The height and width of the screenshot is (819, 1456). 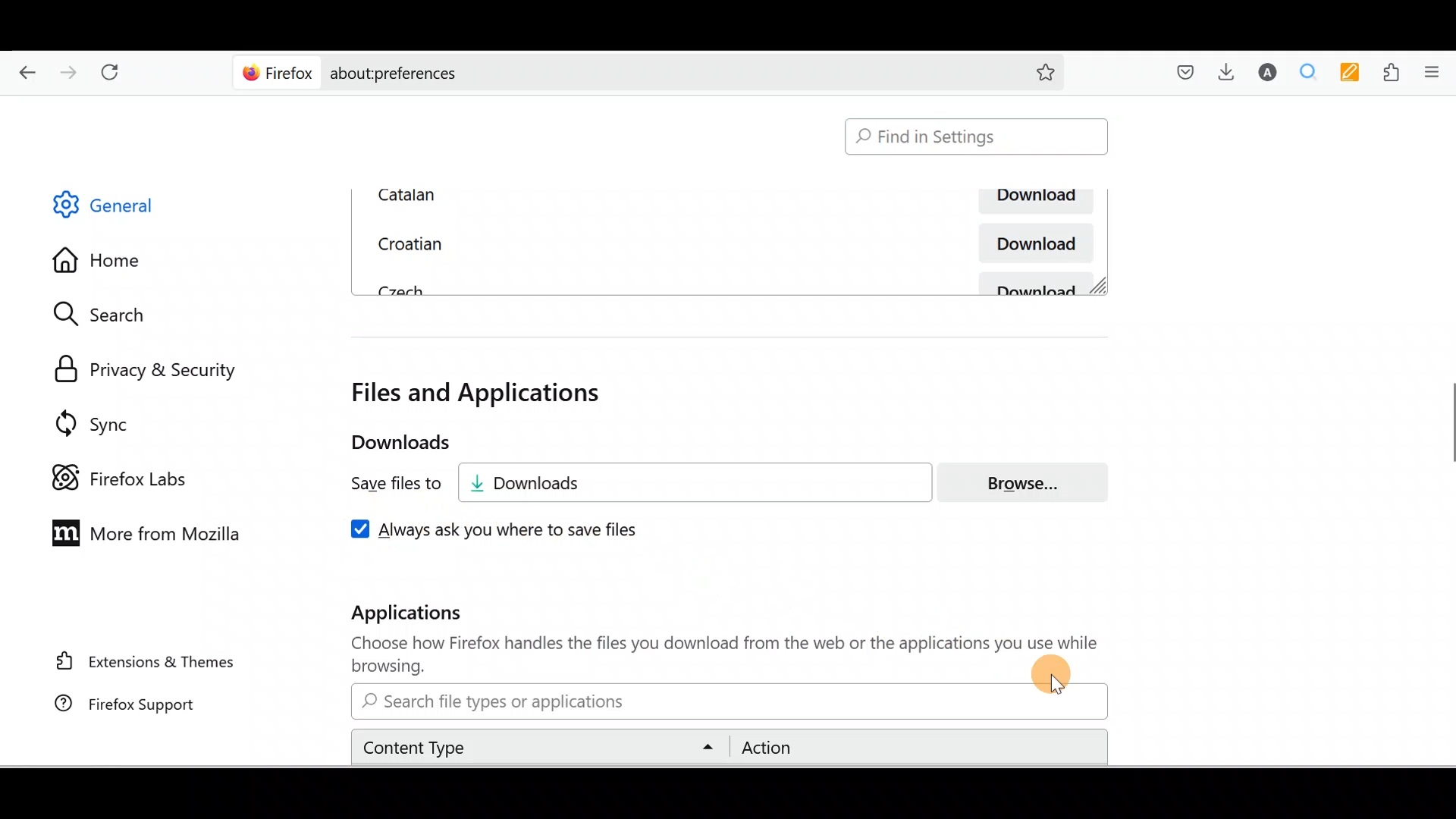 What do you see at coordinates (1436, 72) in the screenshot?
I see `Open application menu` at bounding box center [1436, 72].